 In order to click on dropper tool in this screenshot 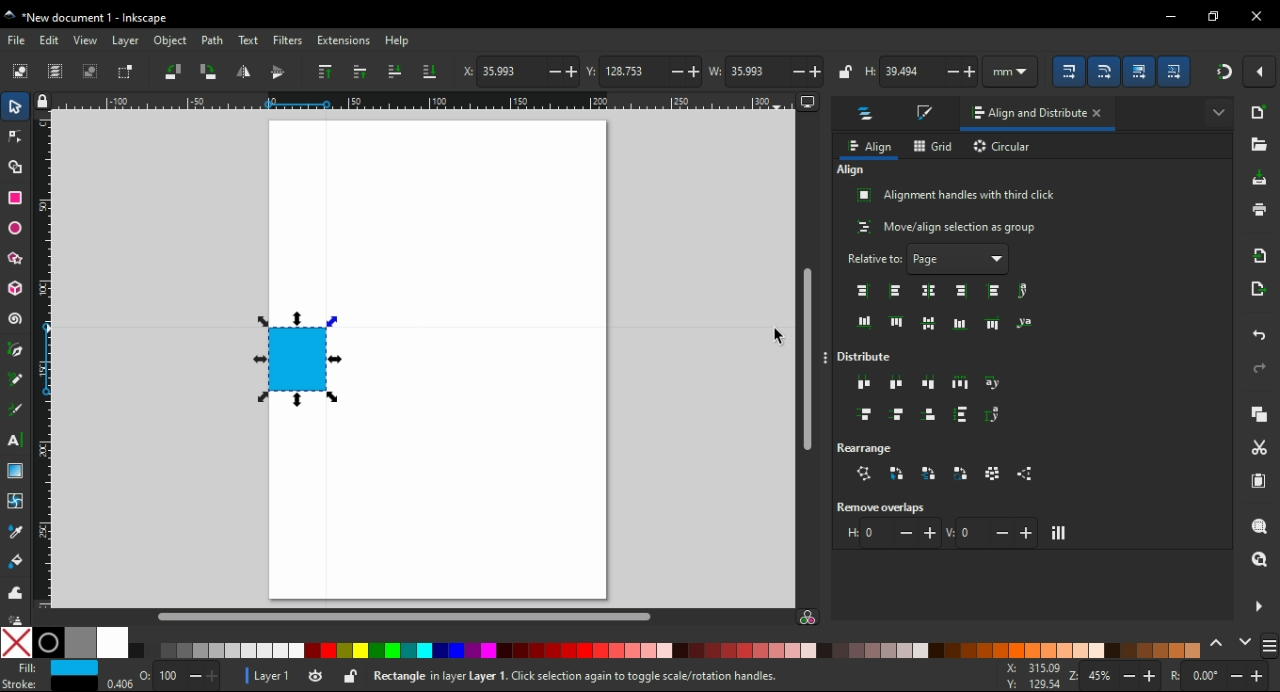, I will do `click(16, 531)`.